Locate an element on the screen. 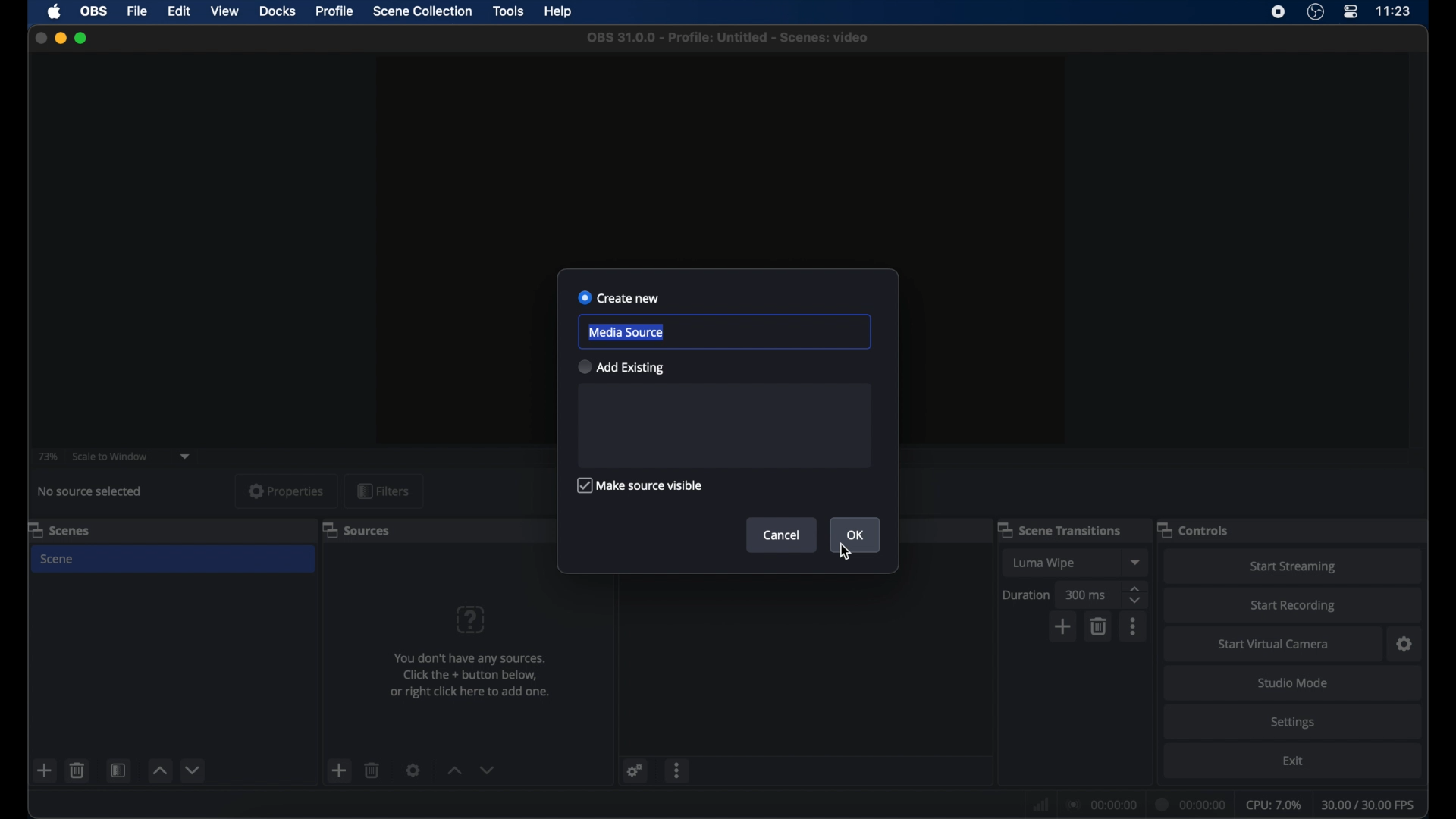  netwrok is located at coordinates (1040, 805).